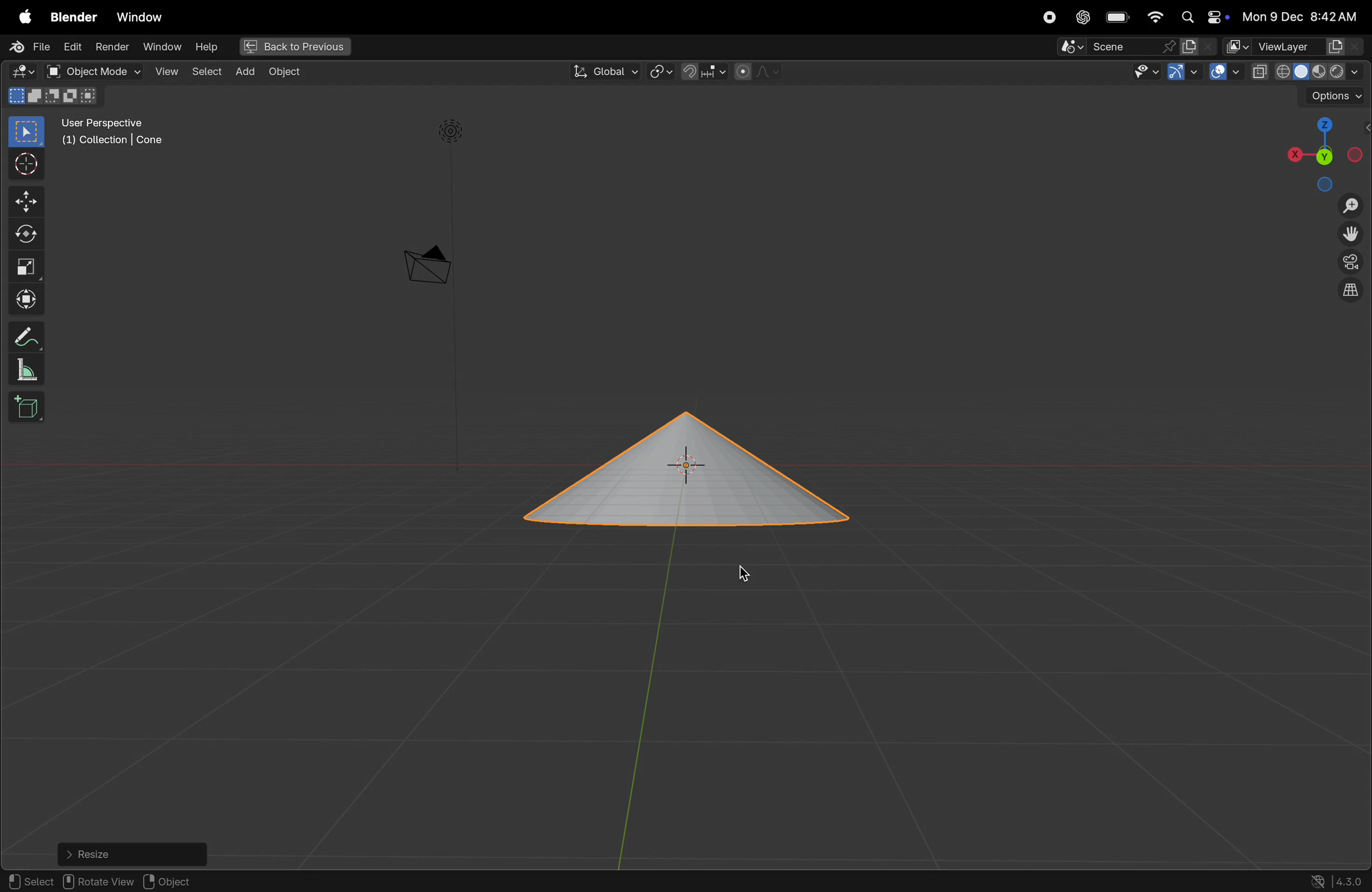 This screenshot has width=1372, height=892. What do you see at coordinates (22, 336) in the screenshot?
I see `annotate` at bounding box center [22, 336].